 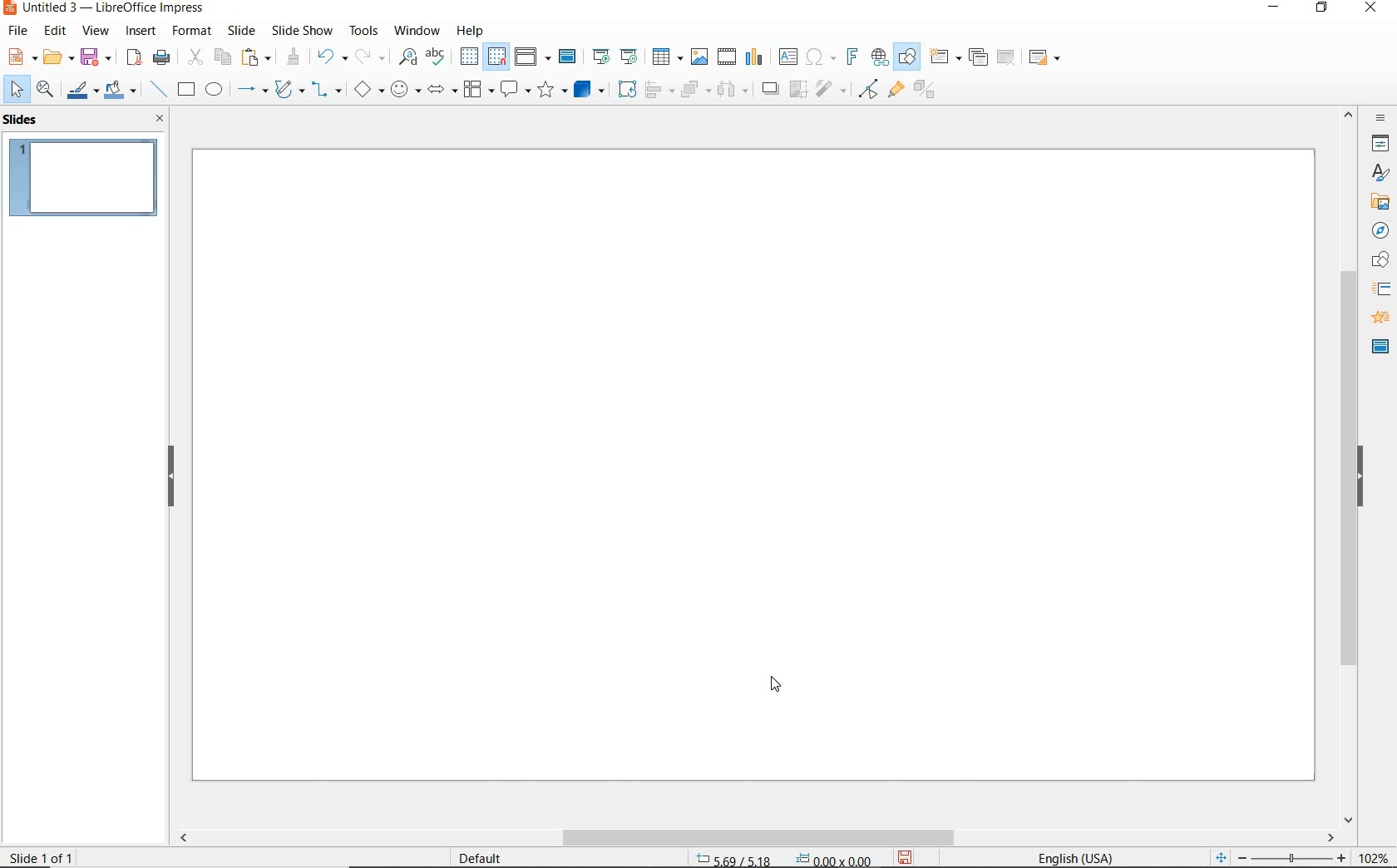 What do you see at coordinates (908, 55) in the screenshot?
I see `SHOW DRAW FUNCTIONS` at bounding box center [908, 55].